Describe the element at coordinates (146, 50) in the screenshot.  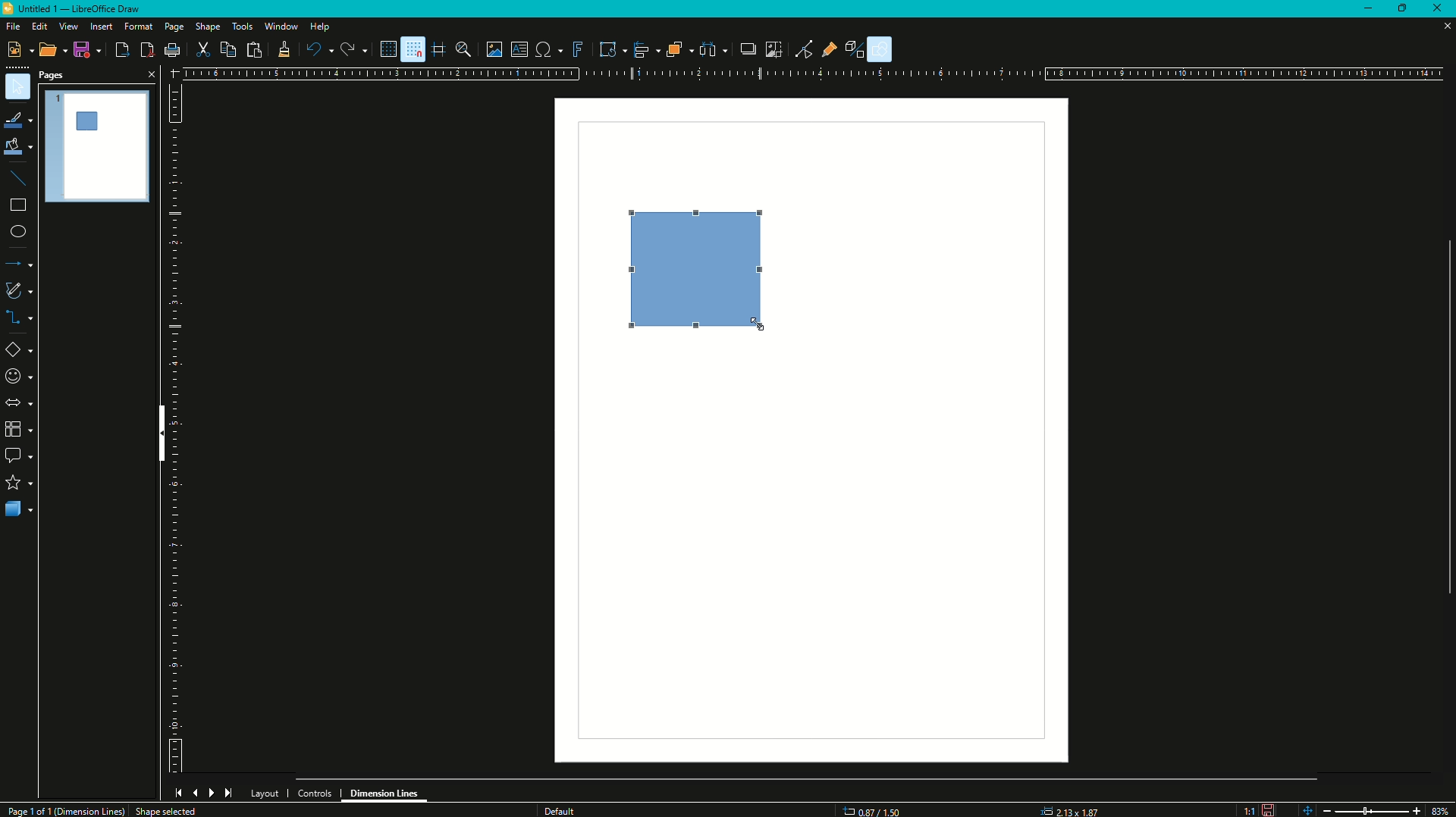
I see `Export Directly as PDF` at that location.